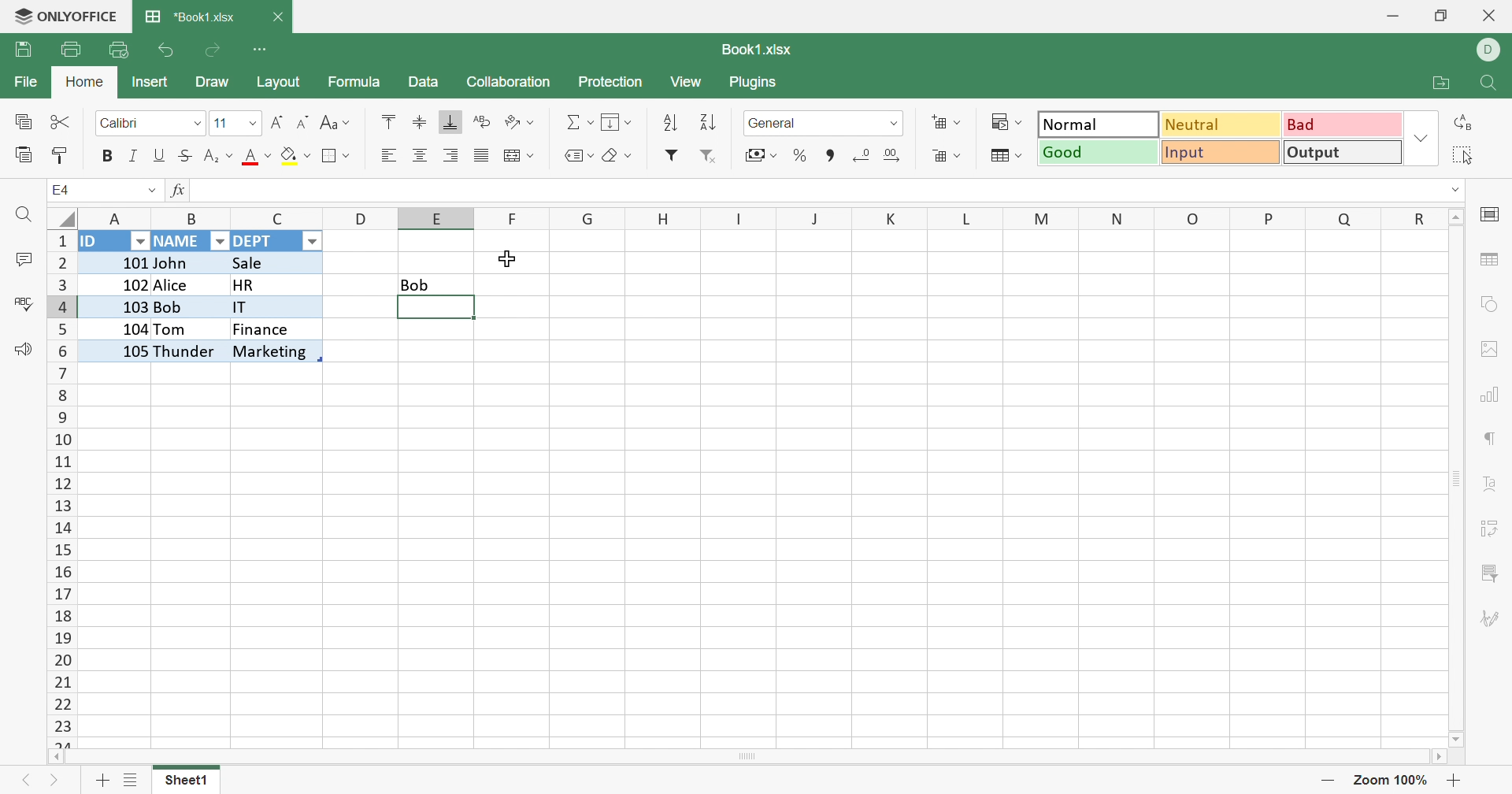  Describe the element at coordinates (176, 264) in the screenshot. I see `John` at that location.